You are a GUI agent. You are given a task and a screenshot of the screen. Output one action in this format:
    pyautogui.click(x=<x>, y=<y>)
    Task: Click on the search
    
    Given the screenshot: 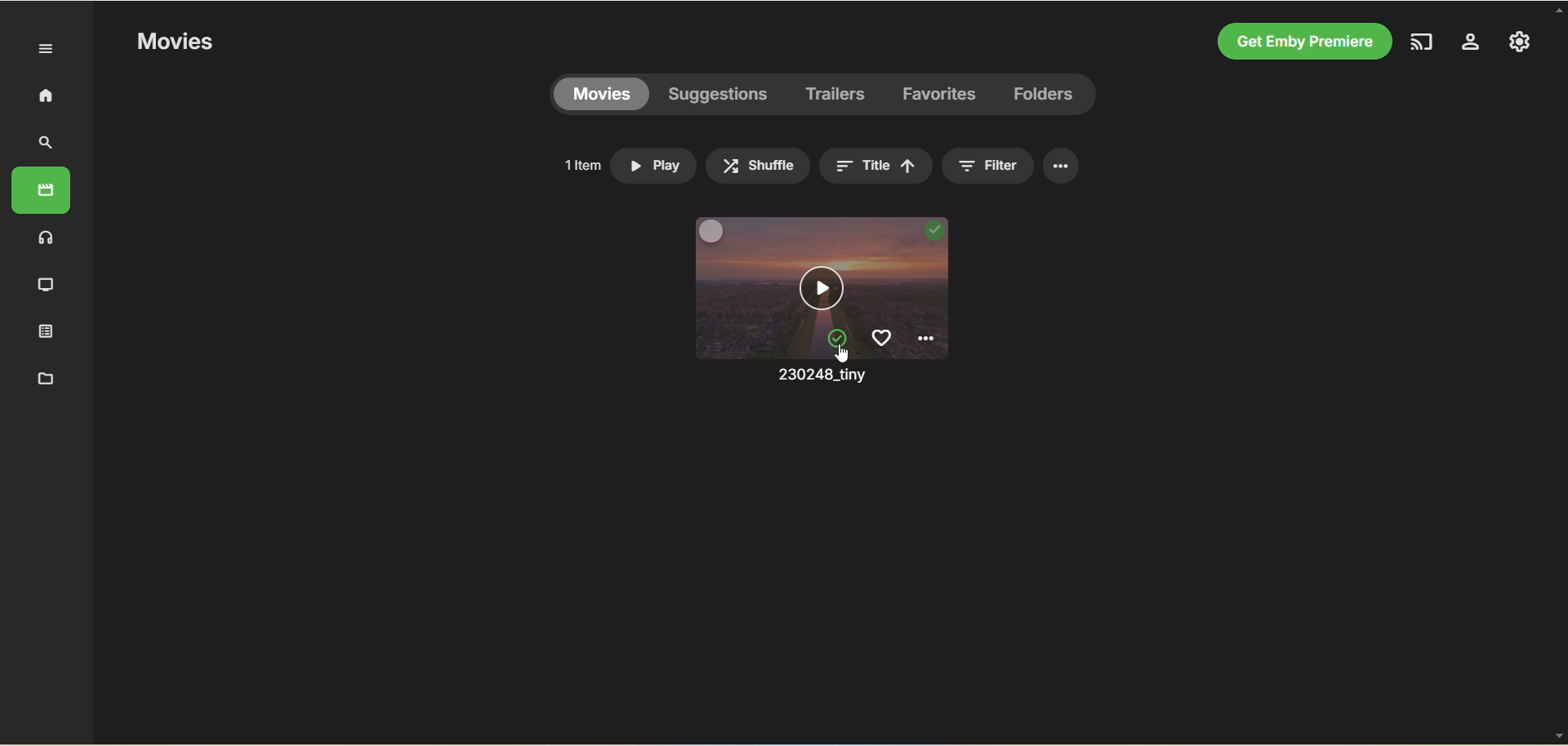 What is the action you would take?
    pyautogui.click(x=48, y=143)
    